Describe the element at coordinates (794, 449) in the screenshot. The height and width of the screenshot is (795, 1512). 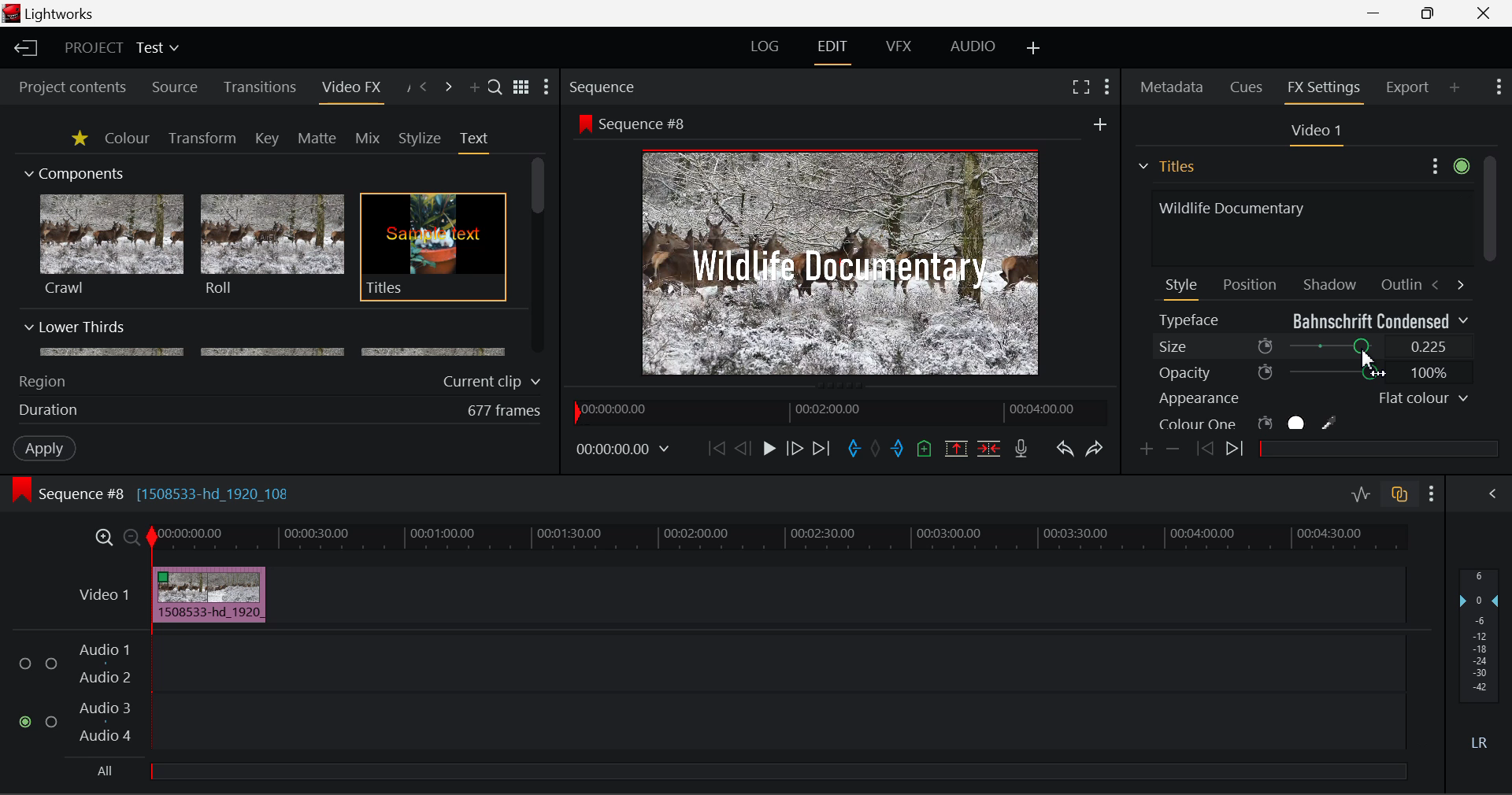
I see `Go Forward` at that location.